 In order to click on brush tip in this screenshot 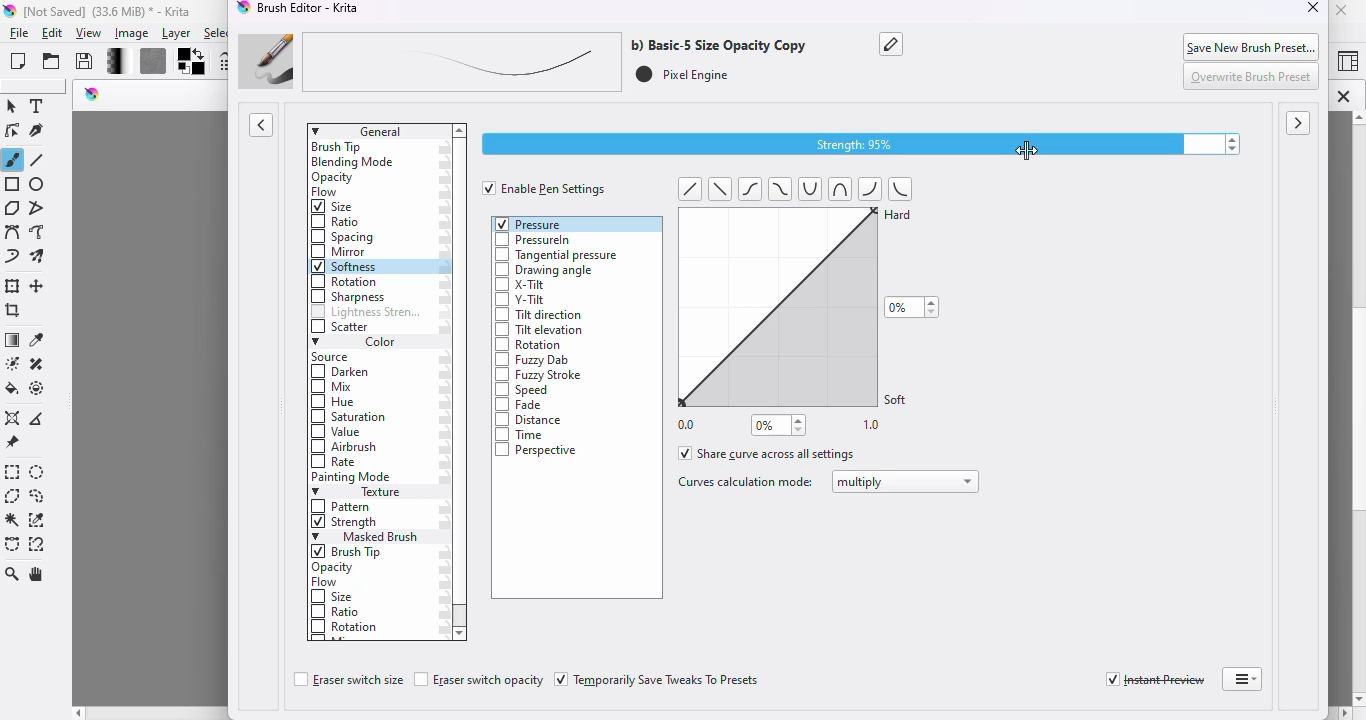, I will do `click(337, 147)`.